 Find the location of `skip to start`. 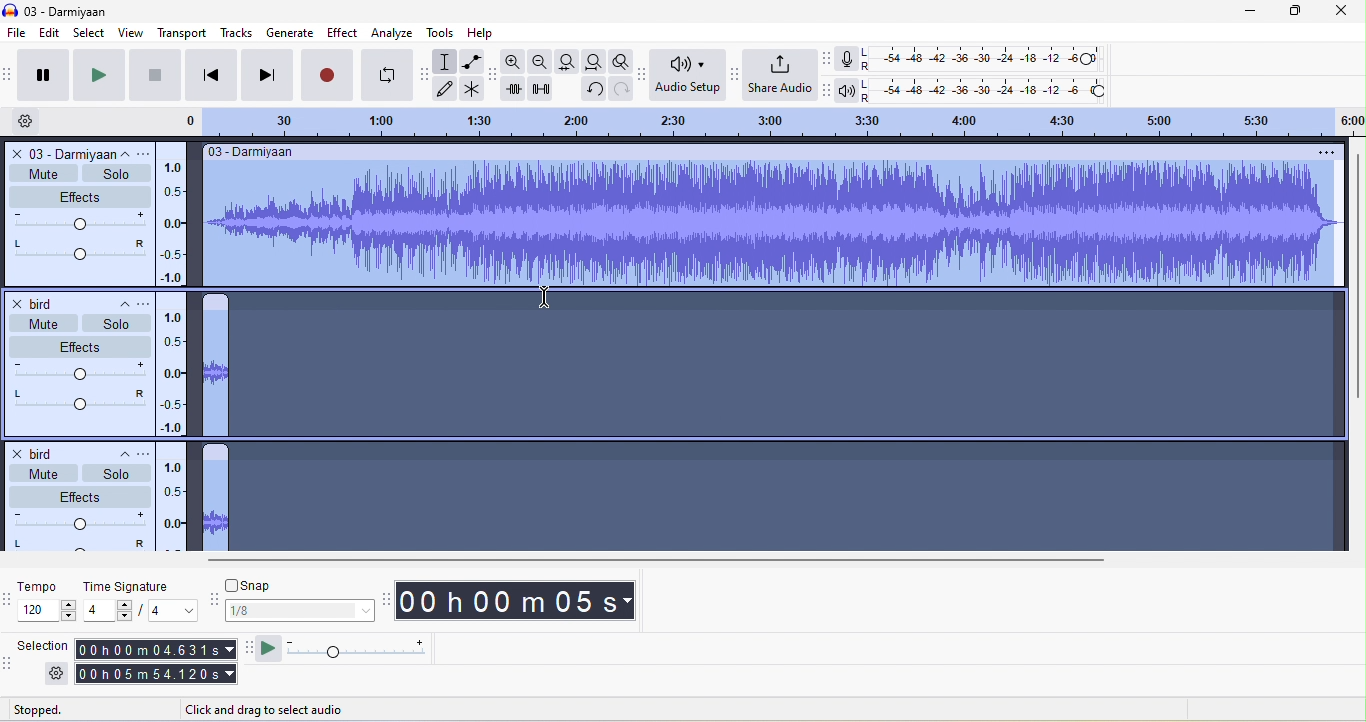

skip to start is located at coordinates (212, 74).